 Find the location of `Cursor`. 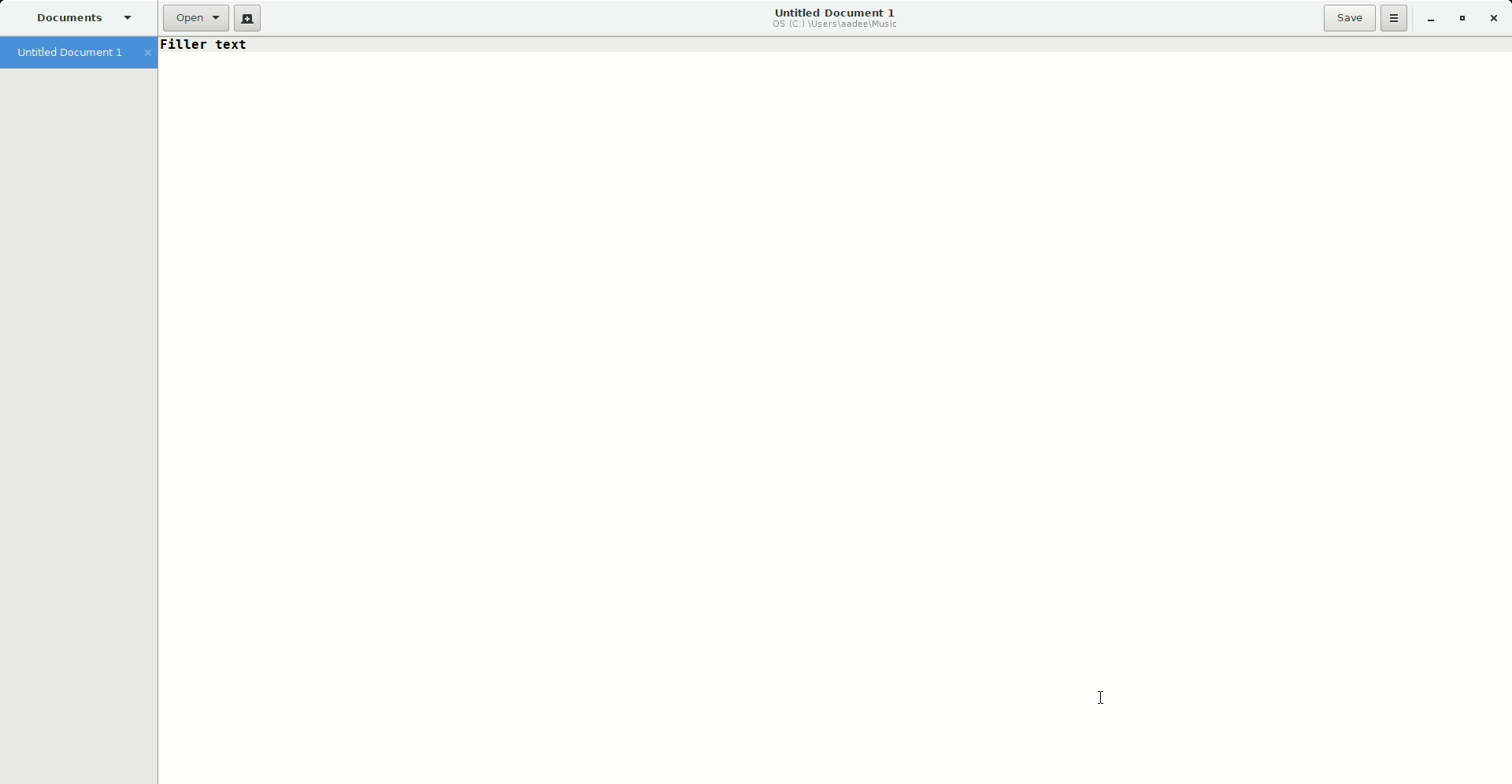

Cursor is located at coordinates (1095, 697).